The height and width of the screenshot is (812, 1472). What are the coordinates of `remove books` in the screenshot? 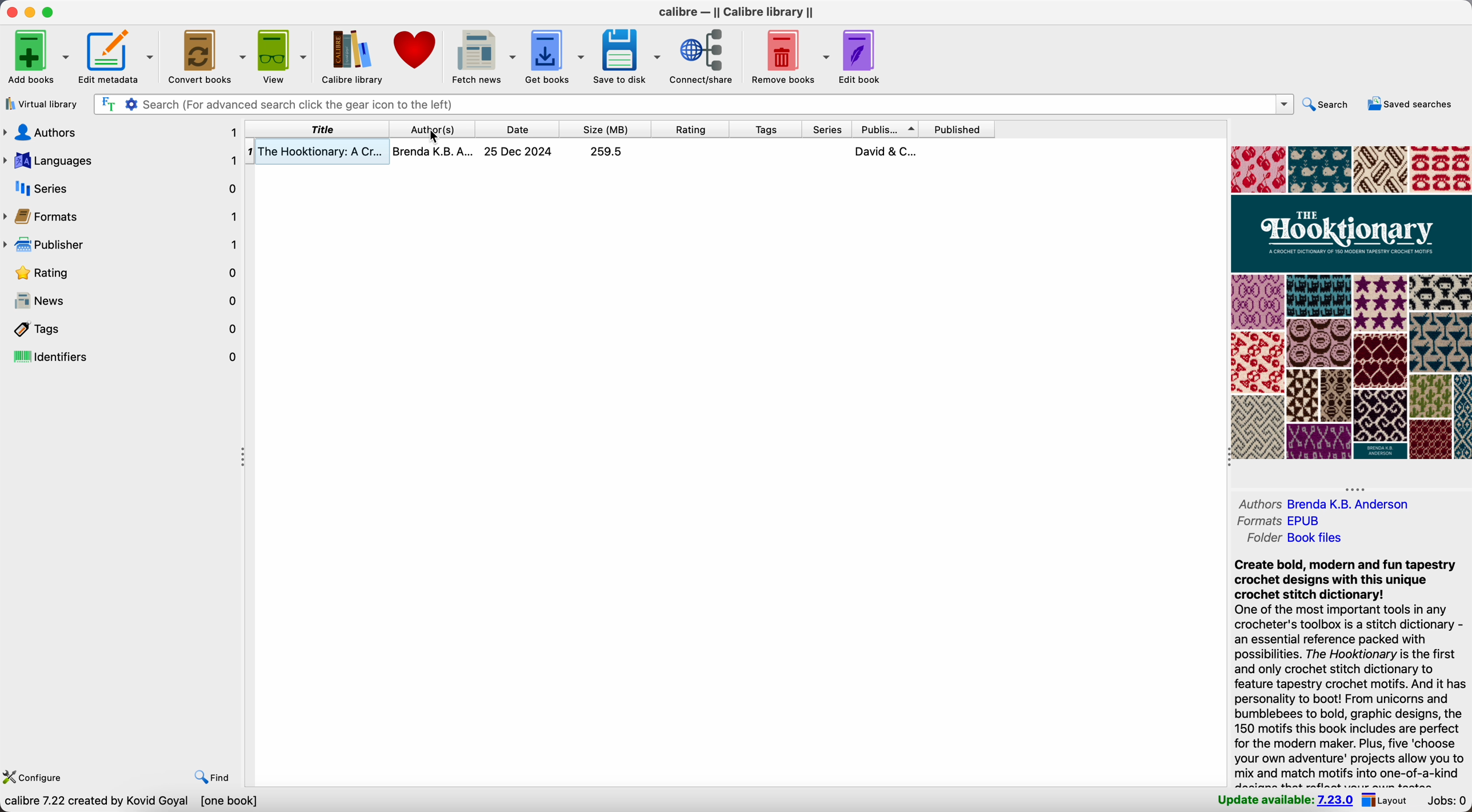 It's located at (790, 55).